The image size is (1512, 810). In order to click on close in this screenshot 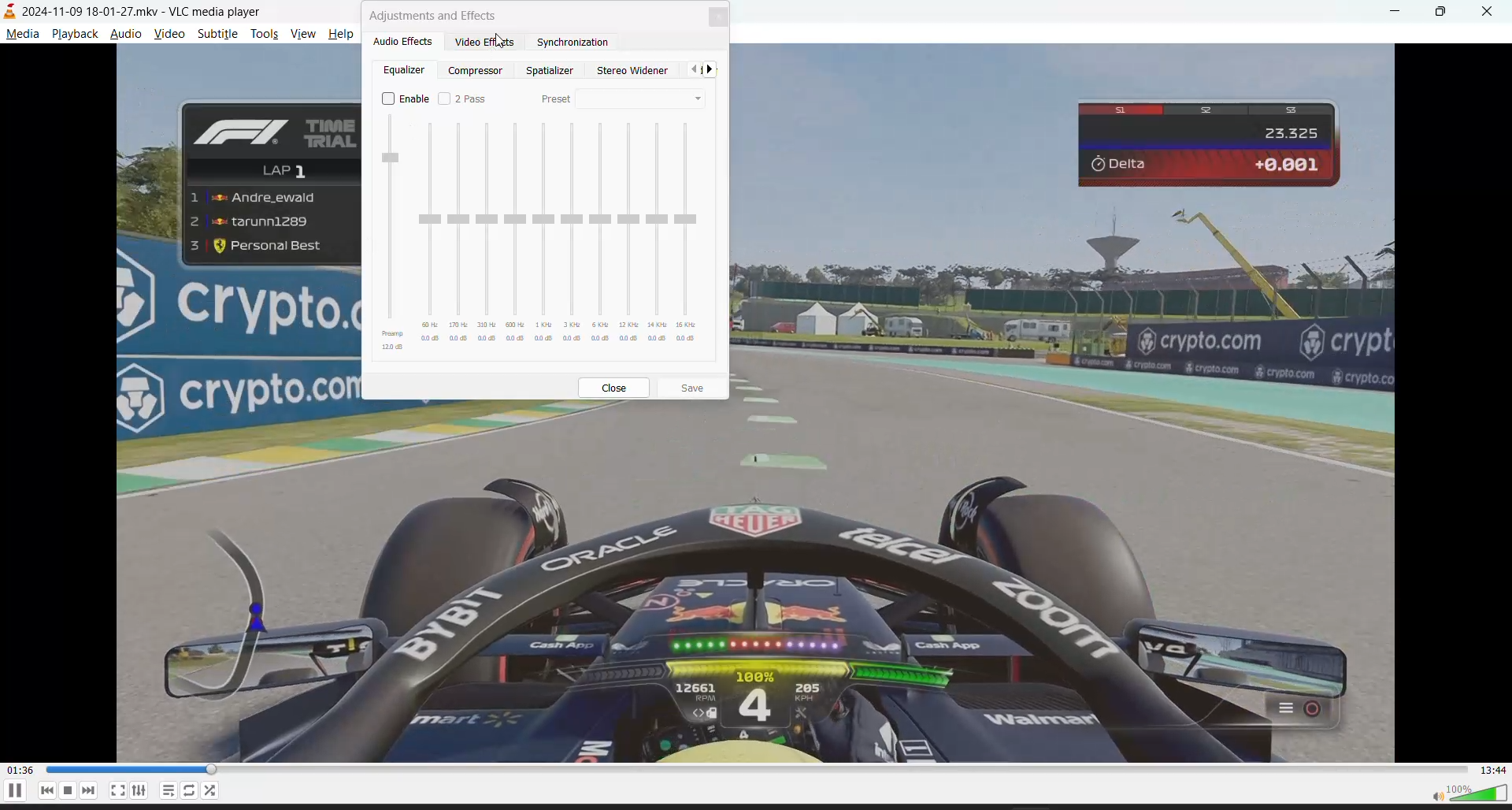, I will do `click(617, 388)`.